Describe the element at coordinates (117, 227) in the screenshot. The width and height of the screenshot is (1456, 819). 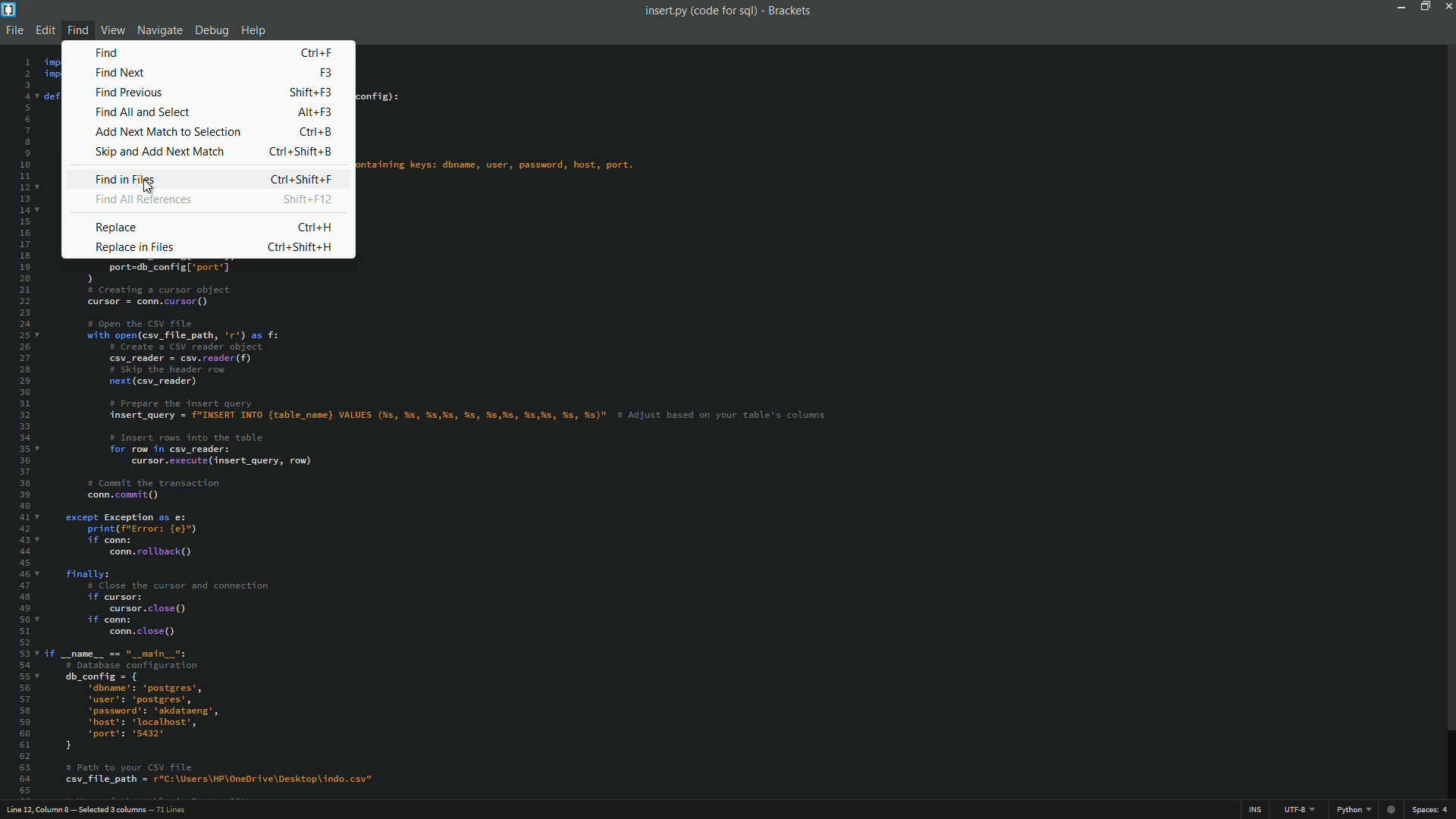
I see `replace` at that location.